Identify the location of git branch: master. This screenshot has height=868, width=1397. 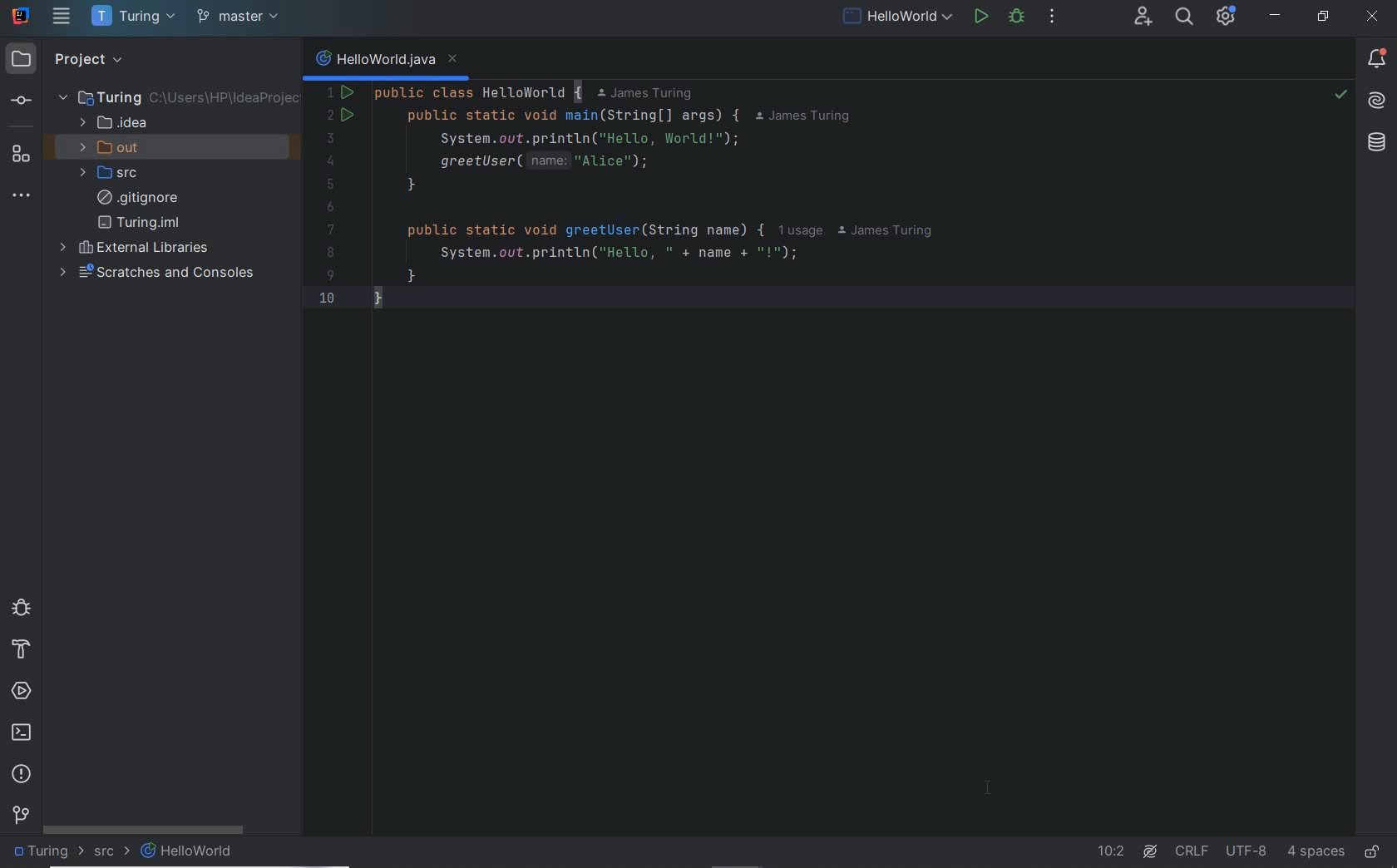
(240, 17).